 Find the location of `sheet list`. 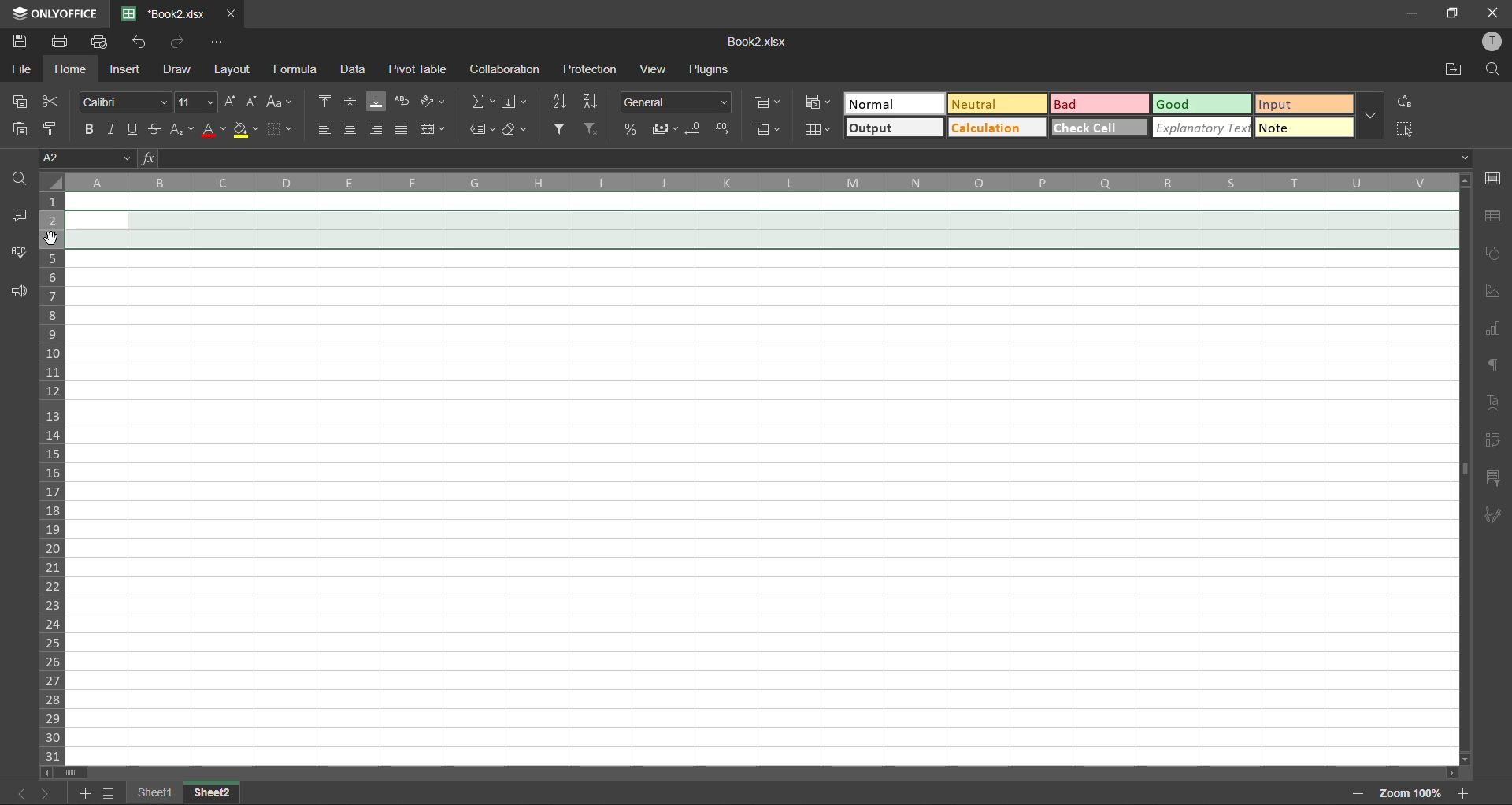

sheet list is located at coordinates (111, 793).